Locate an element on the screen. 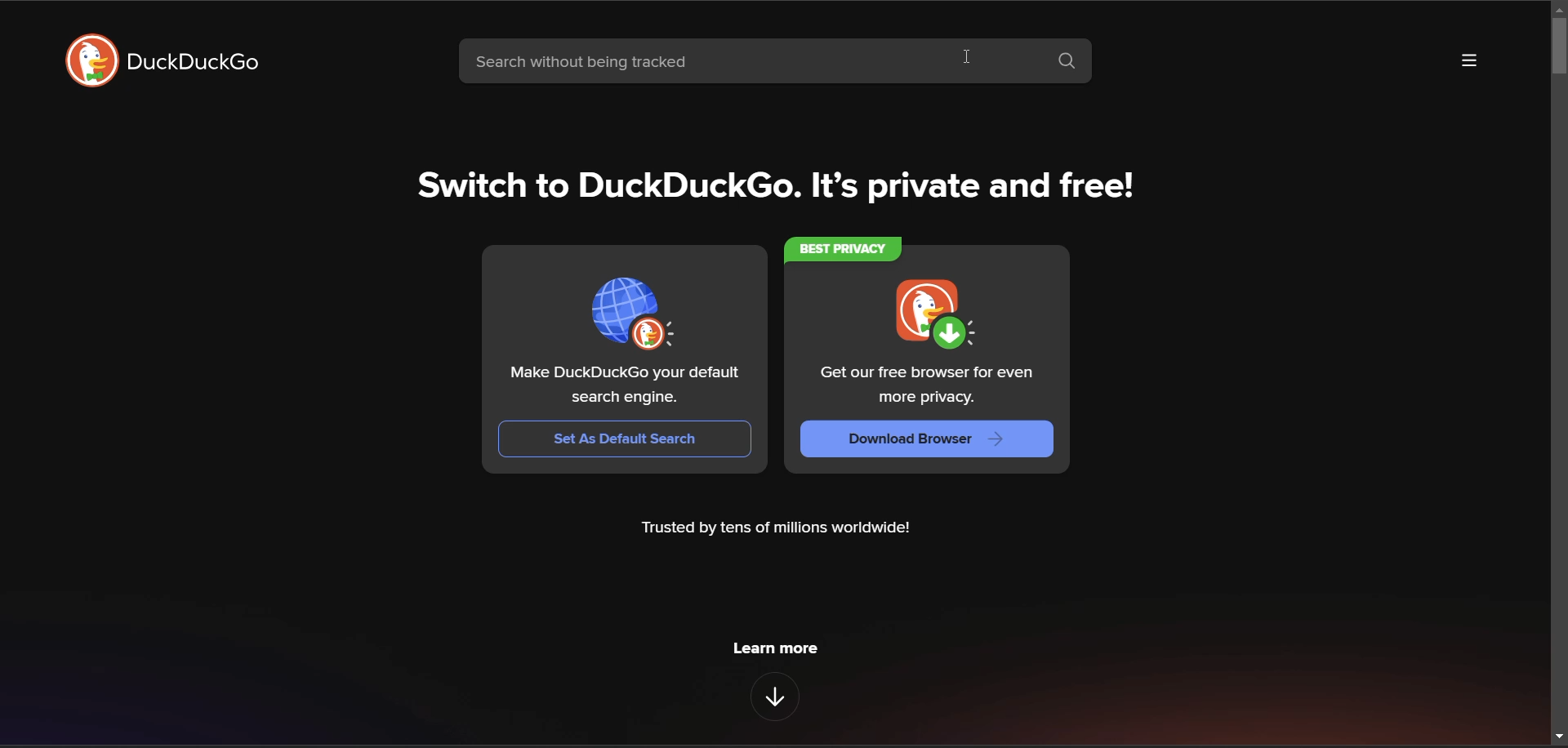 The width and height of the screenshot is (1568, 748). Trusted by tens of millions worldwide! is located at coordinates (781, 531).